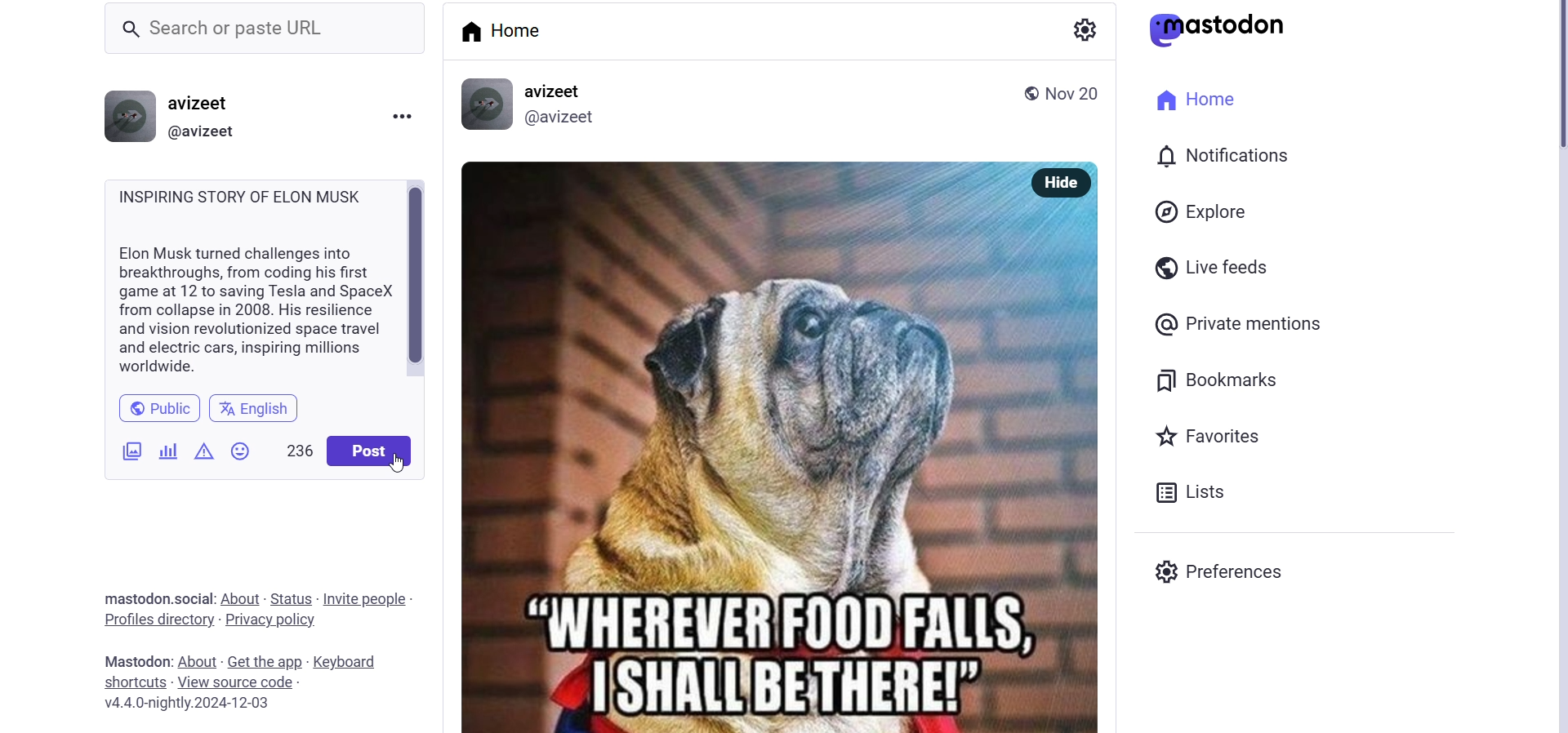 The image size is (1568, 733). I want to click on post, so click(369, 452).